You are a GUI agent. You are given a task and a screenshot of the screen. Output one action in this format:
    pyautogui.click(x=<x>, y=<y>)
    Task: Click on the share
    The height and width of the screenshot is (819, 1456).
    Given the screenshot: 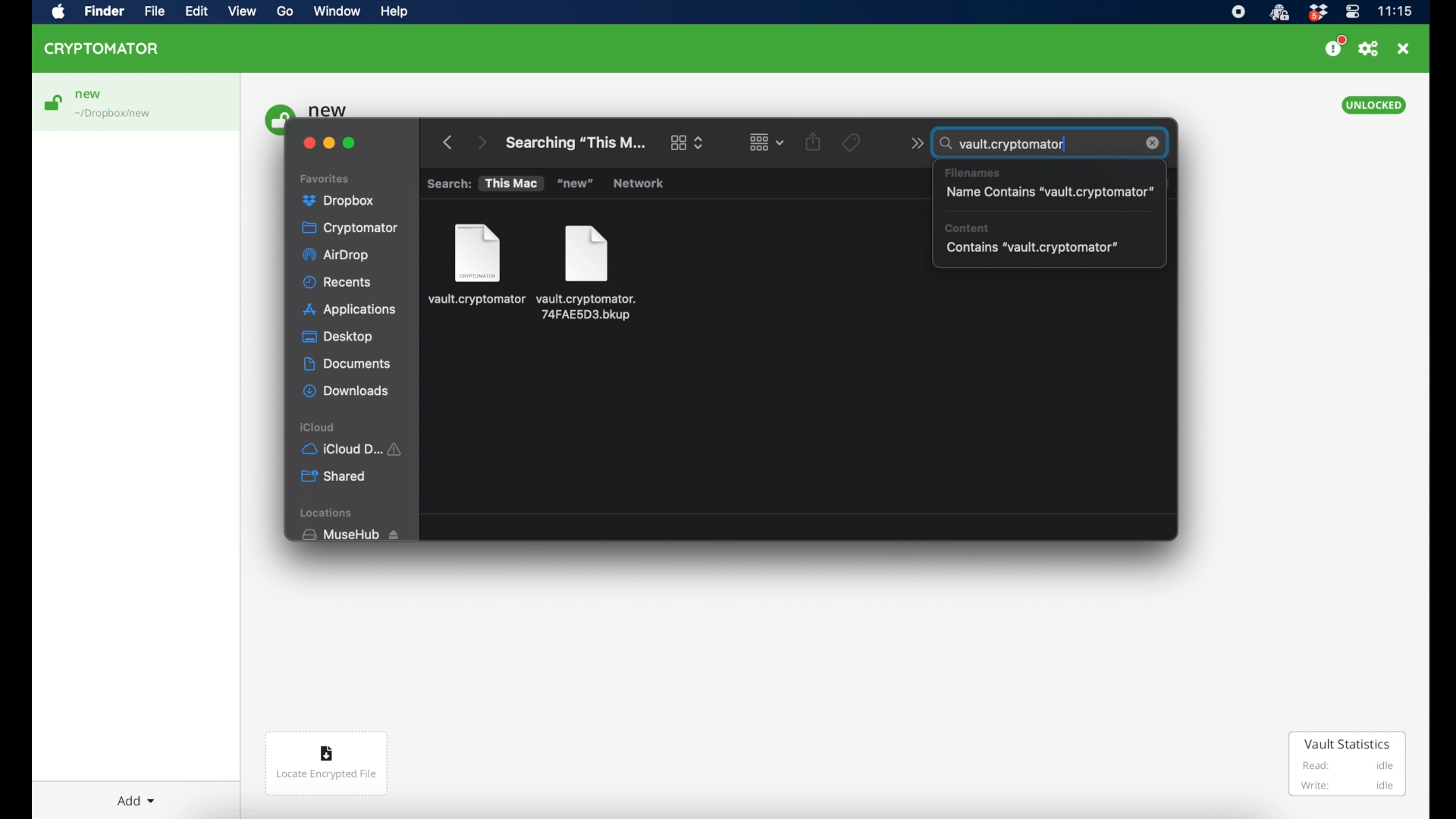 What is the action you would take?
    pyautogui.click(x=816, y=146)
    